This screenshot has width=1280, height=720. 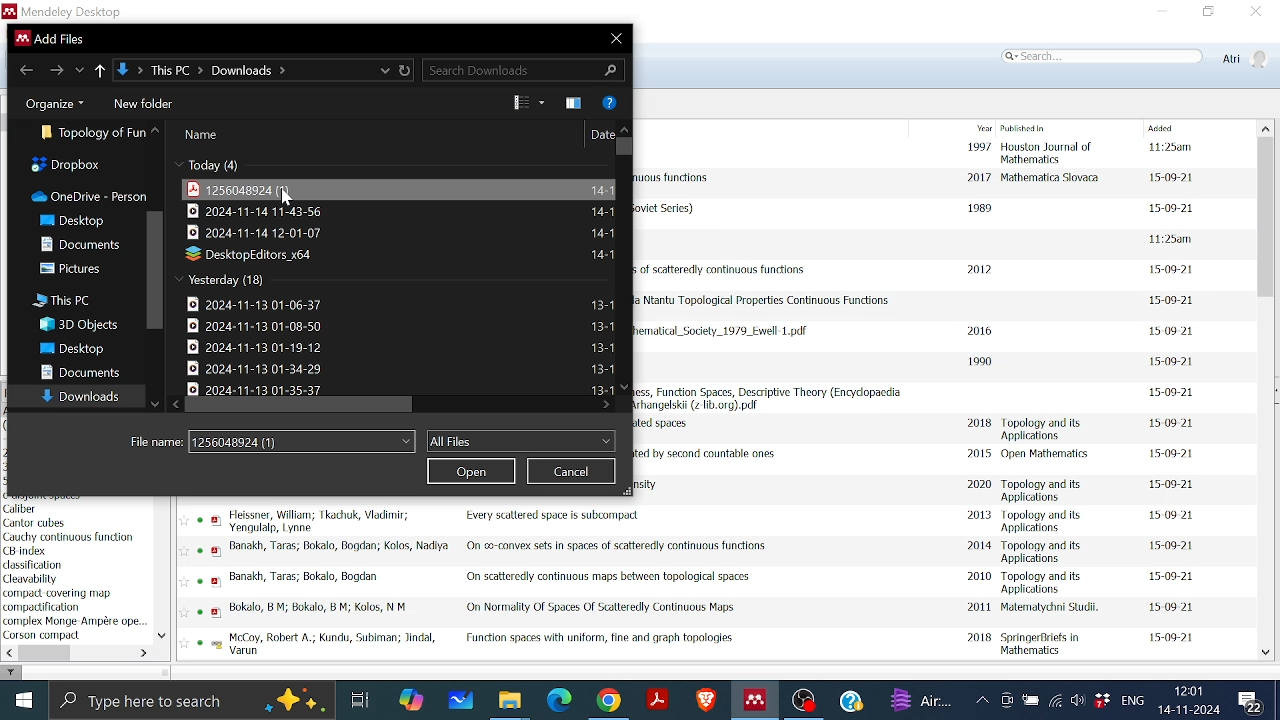 I want to click on Yesterday(18), so click(x=225, y=281).